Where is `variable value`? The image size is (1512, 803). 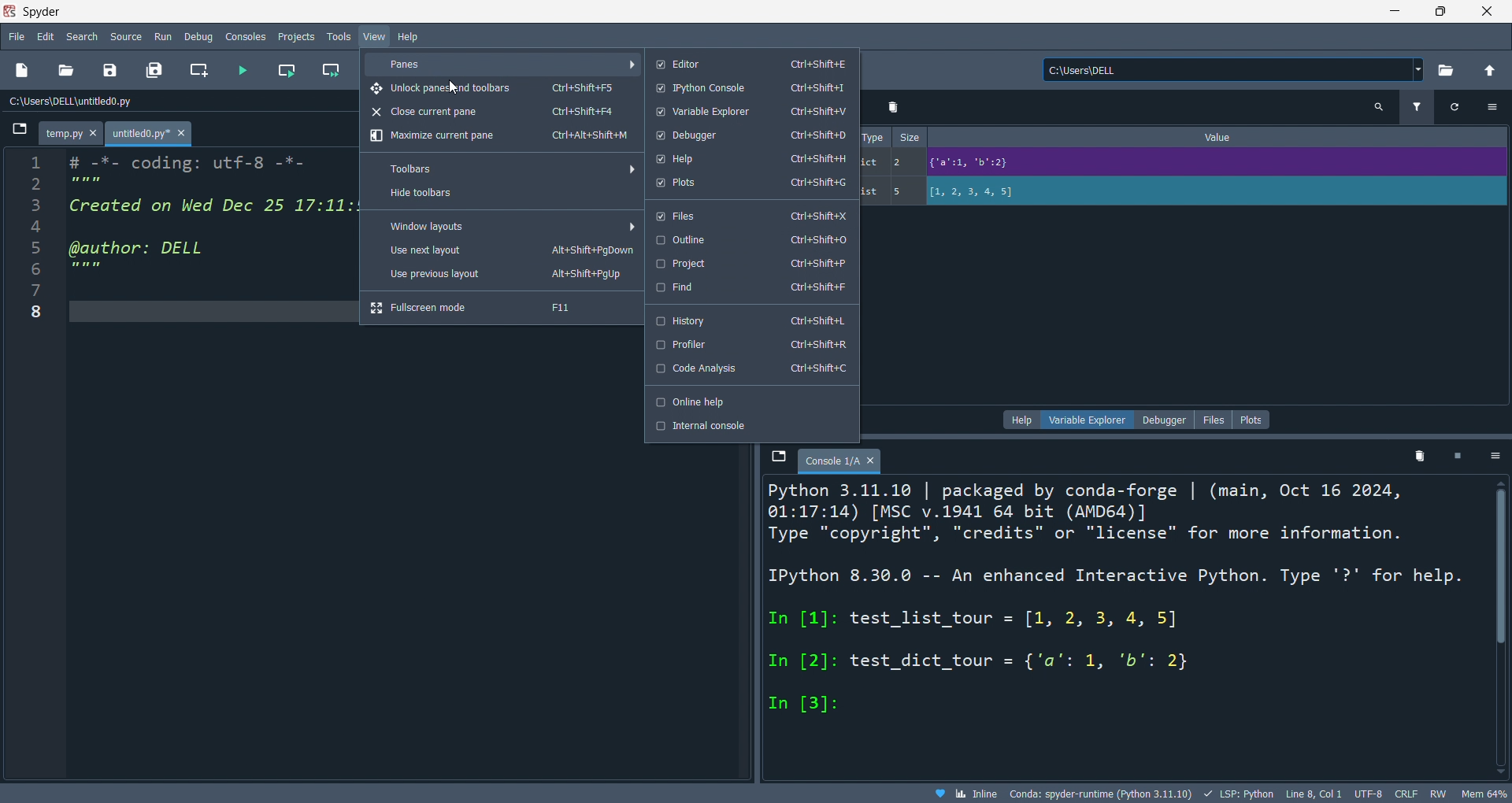
variable value is located at coordinates (1213, 165).